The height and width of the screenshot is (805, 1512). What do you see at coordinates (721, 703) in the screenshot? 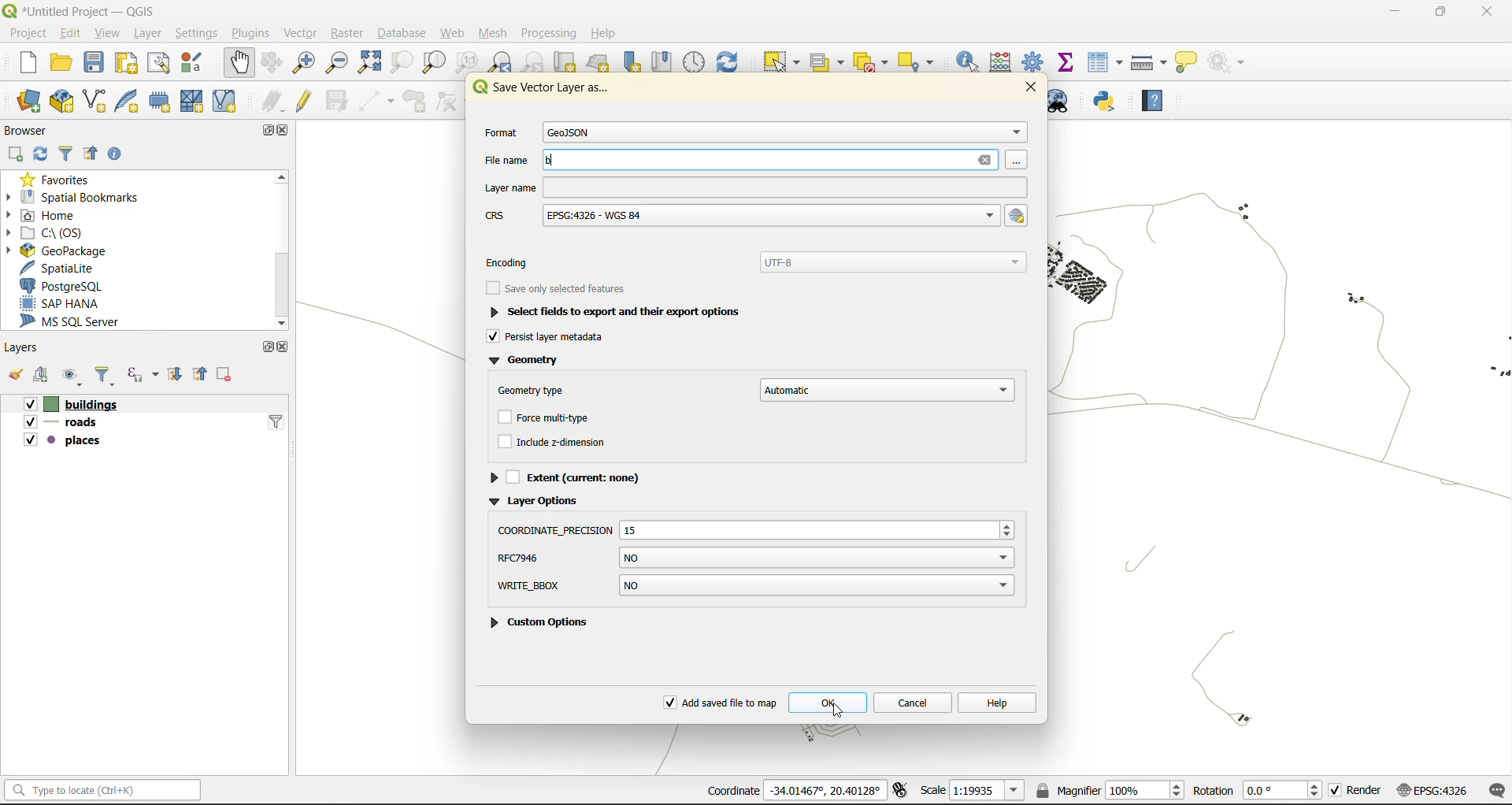
I see `add saved file to map` at bounding box center [721, 703].